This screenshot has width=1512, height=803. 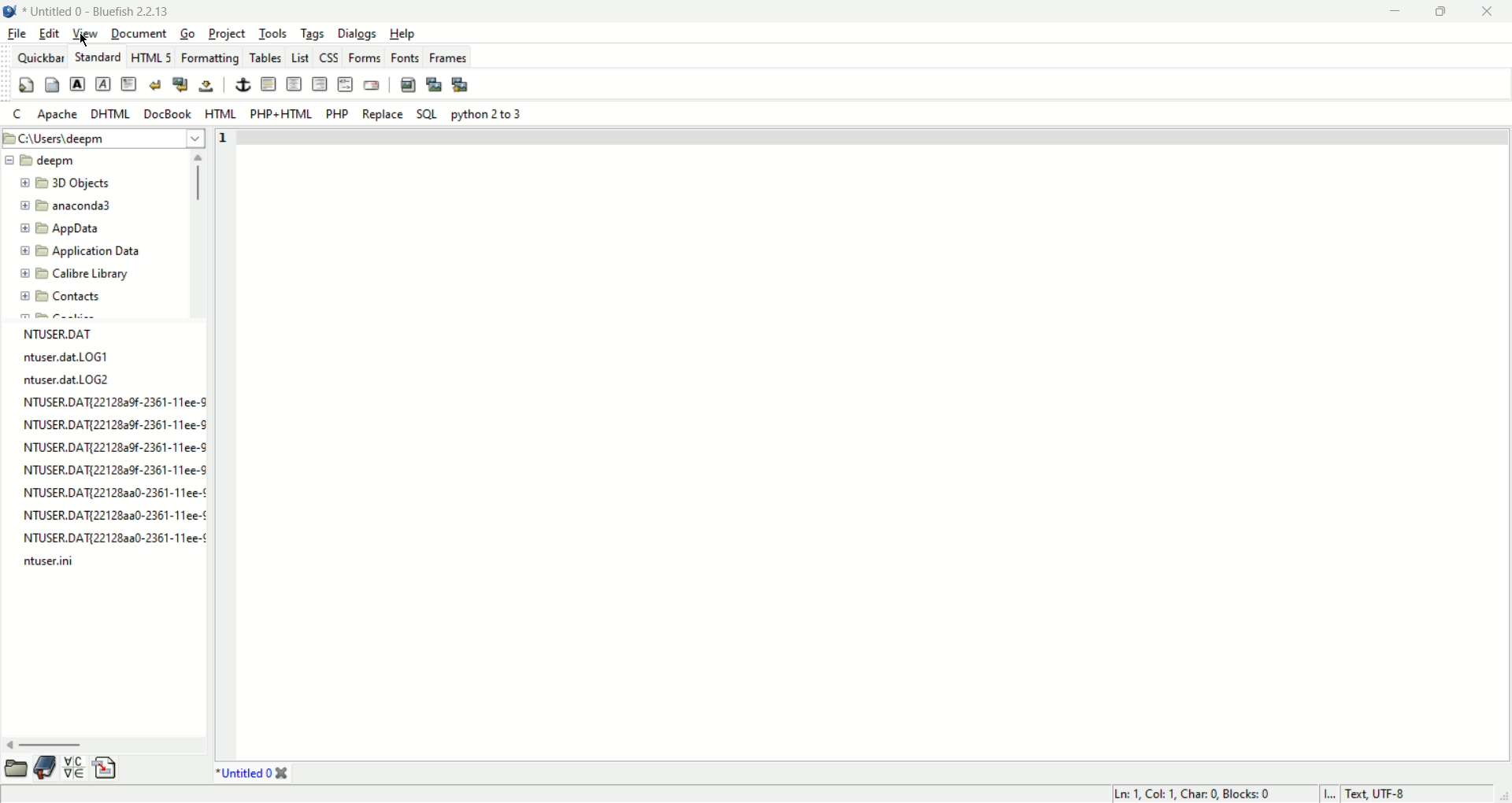 What do you see at coordinates (1486, 12) in the screenshot?
I see `close` at bounding box center [1486, 12].